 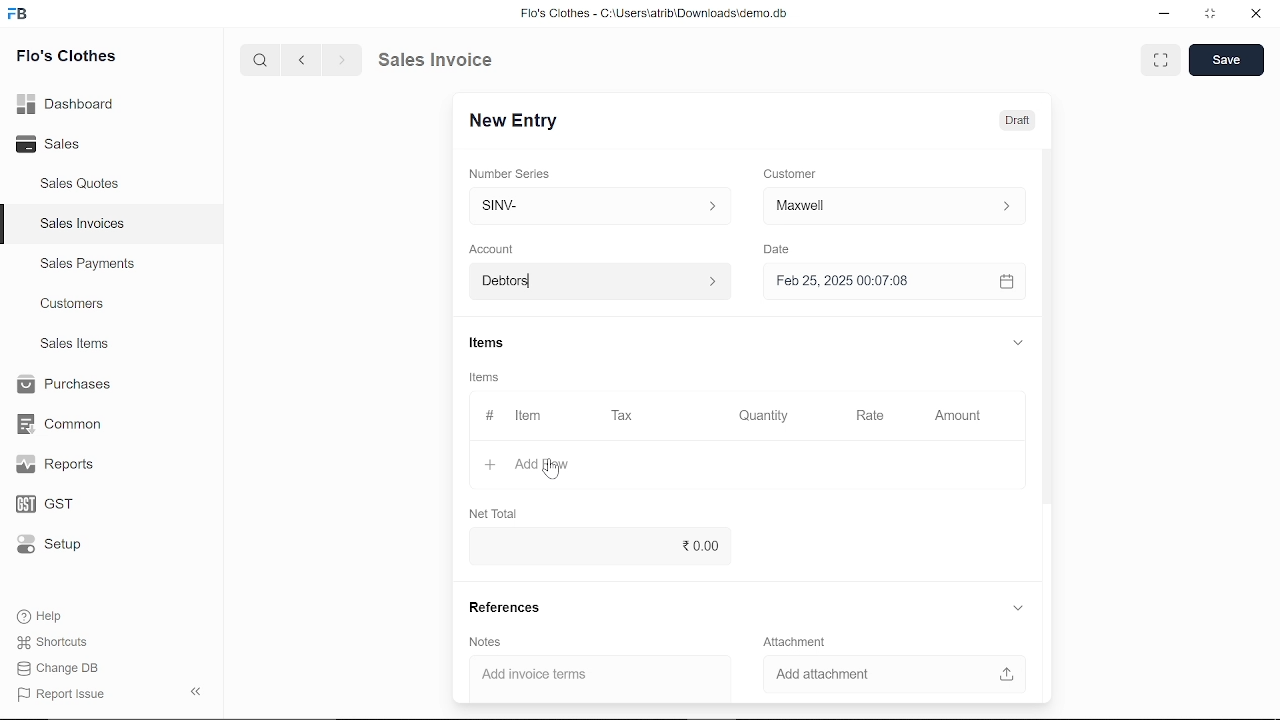 What do you see at coordinates (20, 17) in the screenshot?
I see `frappe books logo` at bounding box center [20, 17].